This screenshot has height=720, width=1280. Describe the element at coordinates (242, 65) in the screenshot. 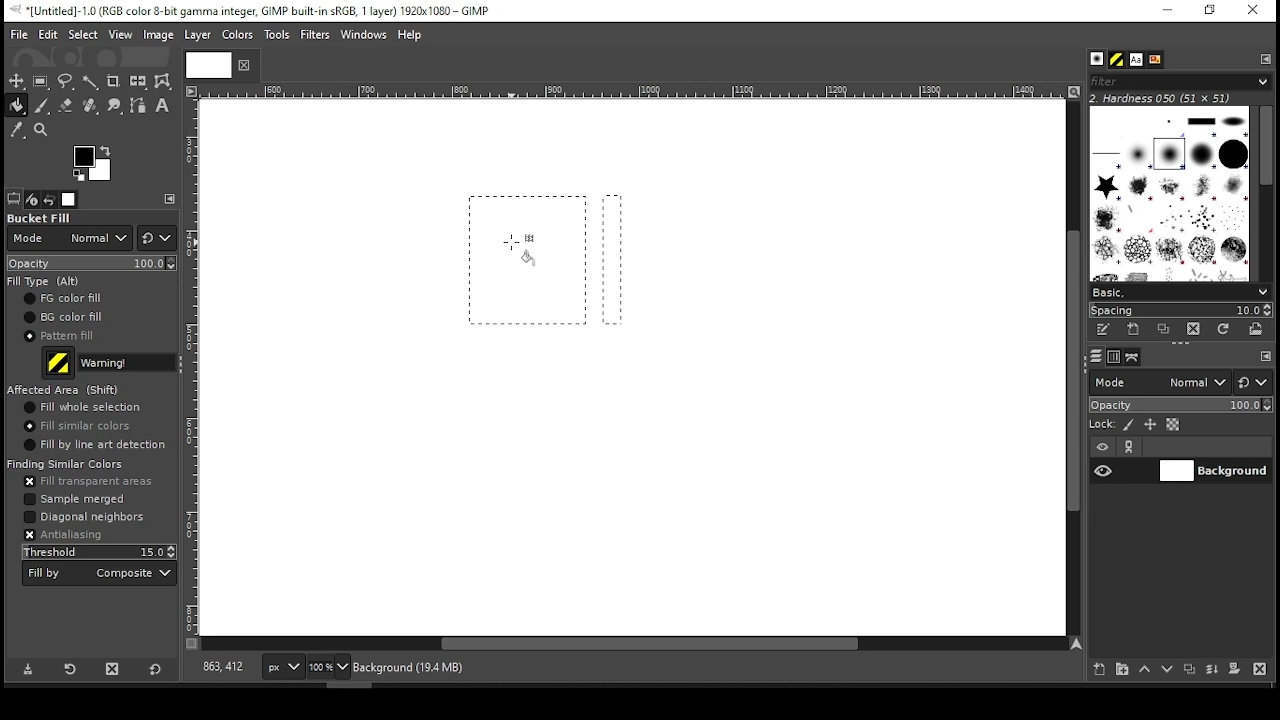

I see `close` at that location.